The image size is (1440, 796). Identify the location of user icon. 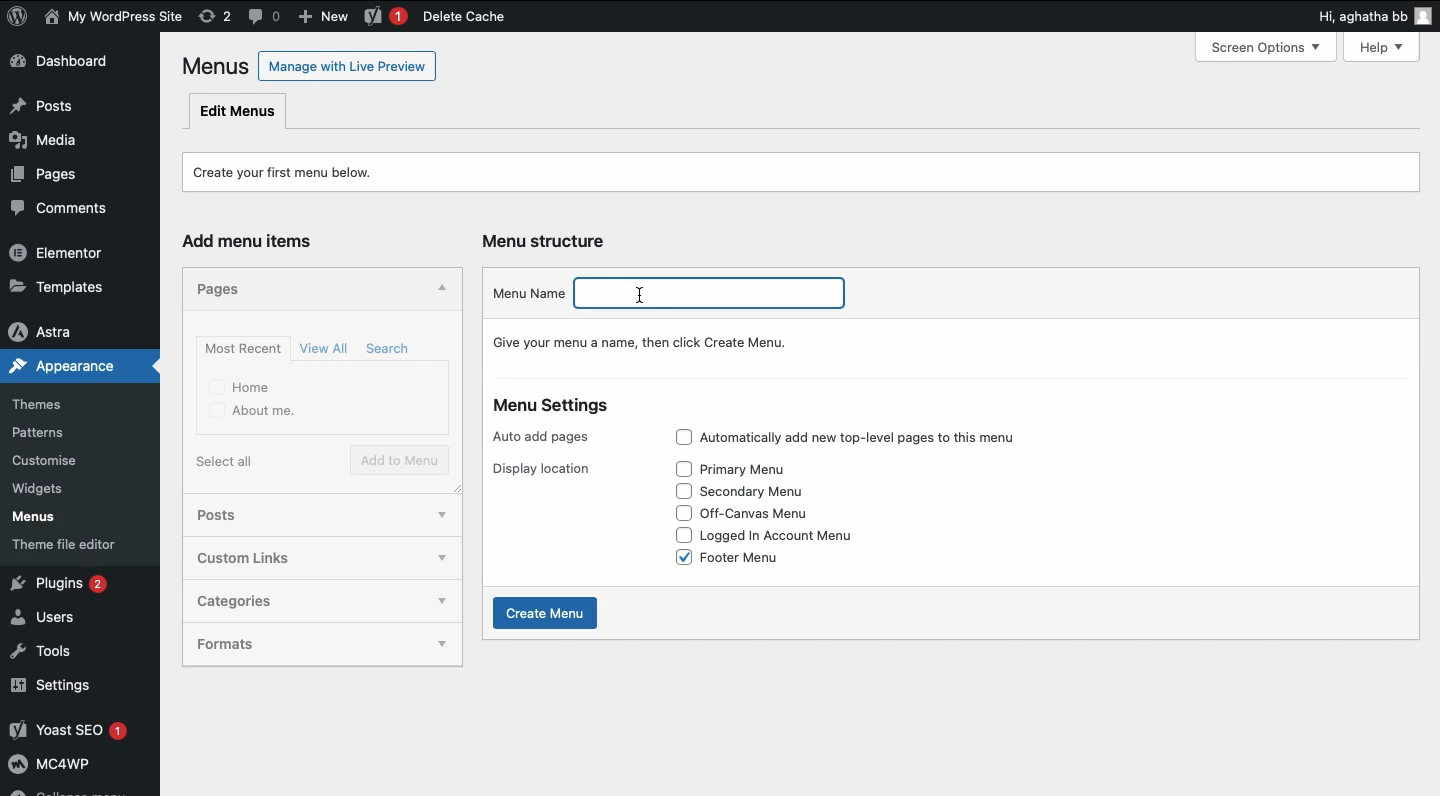
(1424, 18).